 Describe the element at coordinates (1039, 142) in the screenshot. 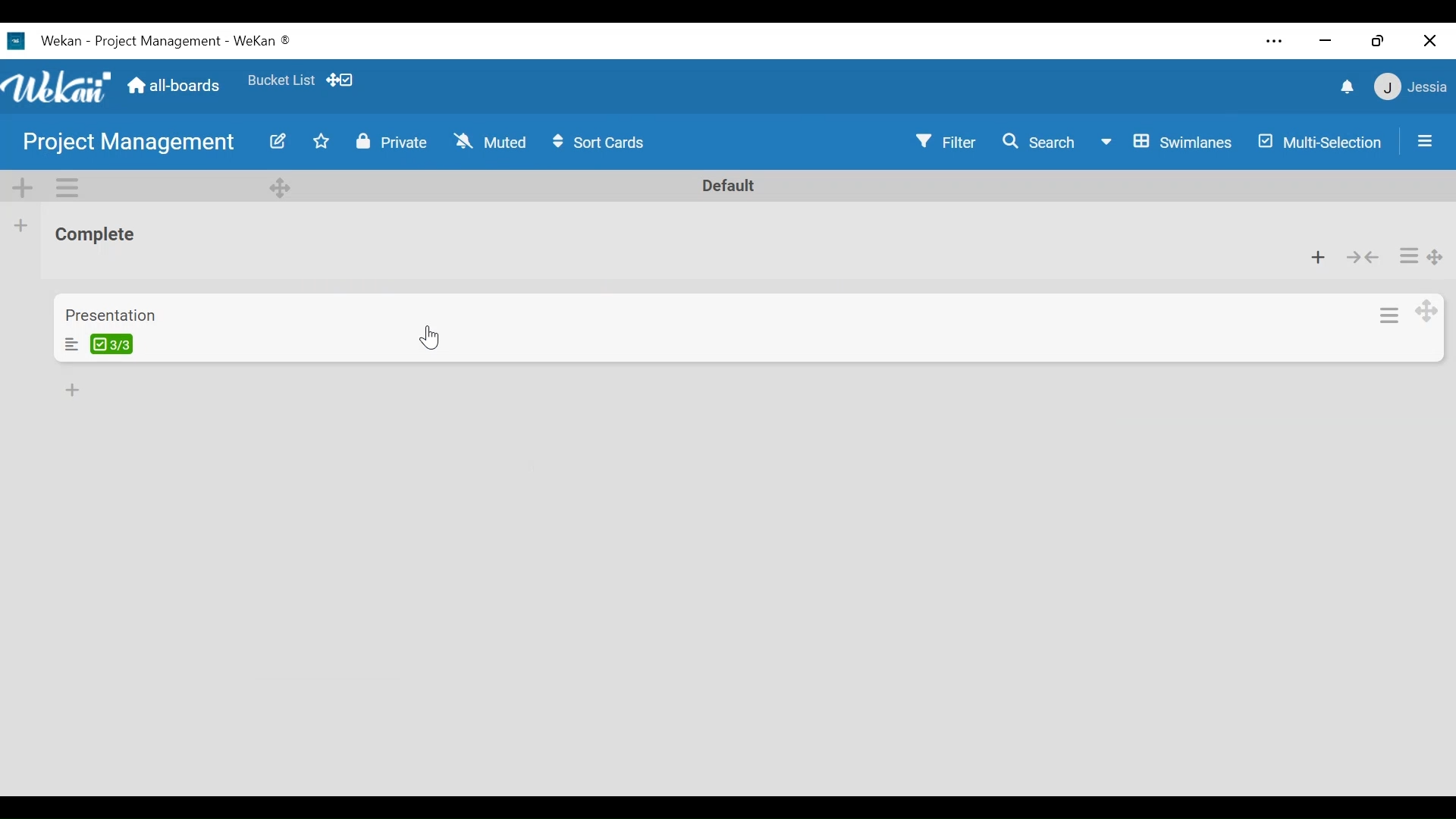

I see `Search` at that location.